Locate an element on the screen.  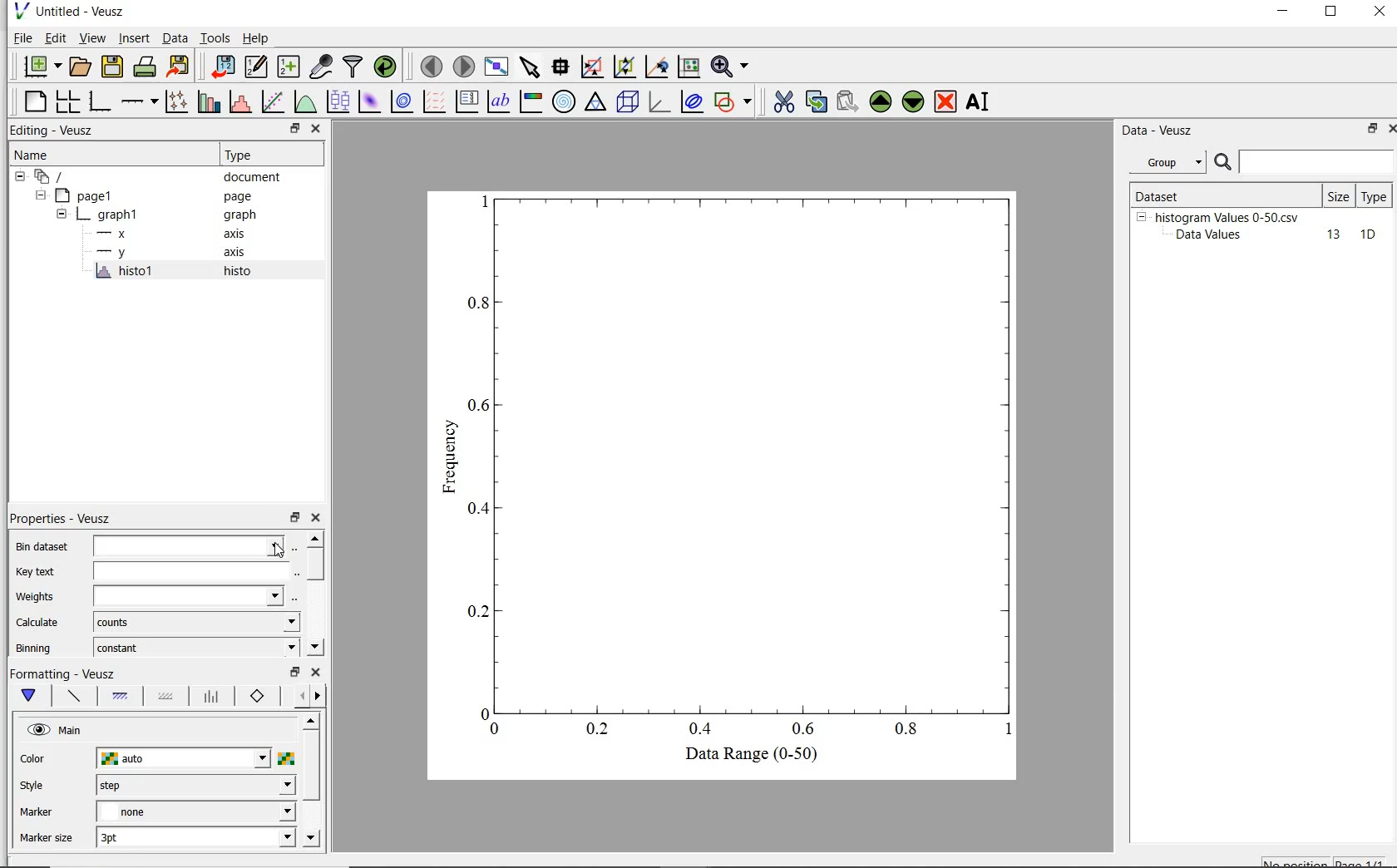
Binning is located at coordinates (35, 648).